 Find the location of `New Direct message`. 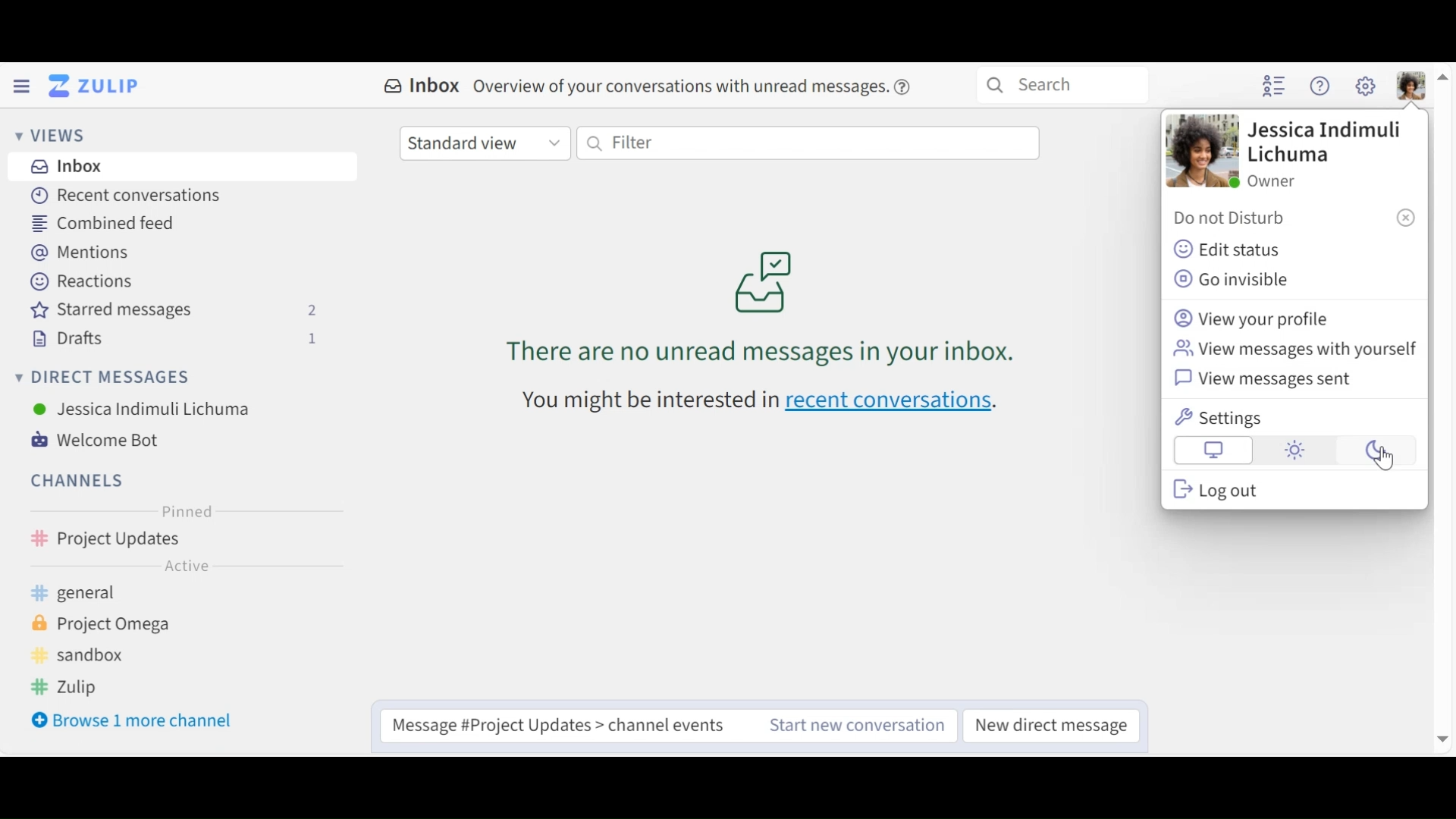

New Direct message is located at coordinates (1050, 726).